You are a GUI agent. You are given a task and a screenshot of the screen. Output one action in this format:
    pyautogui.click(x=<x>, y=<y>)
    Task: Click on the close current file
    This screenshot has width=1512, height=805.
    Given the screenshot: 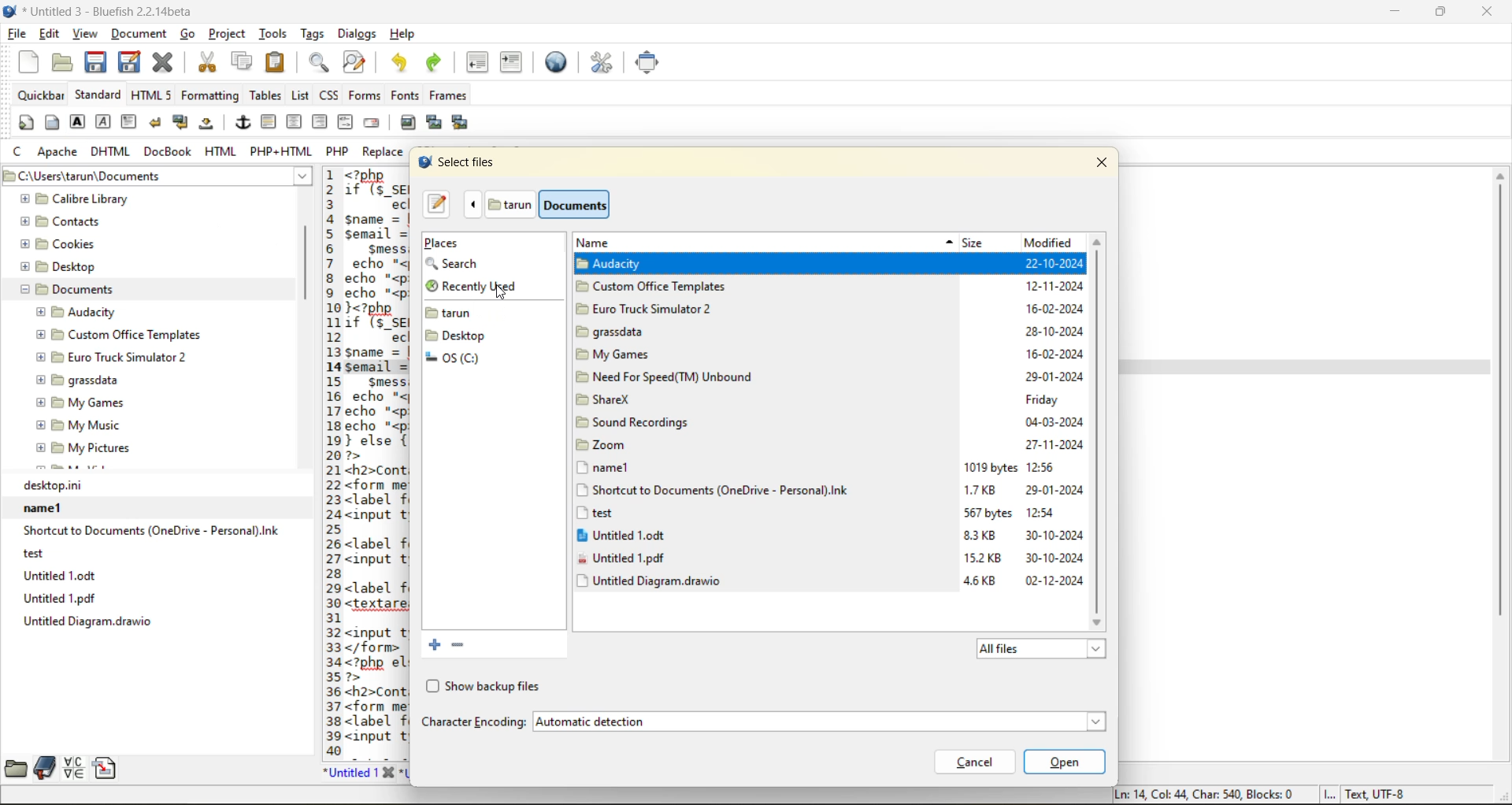 What is the action you would take?
    pyautogui.click(x=166, y=63)
    